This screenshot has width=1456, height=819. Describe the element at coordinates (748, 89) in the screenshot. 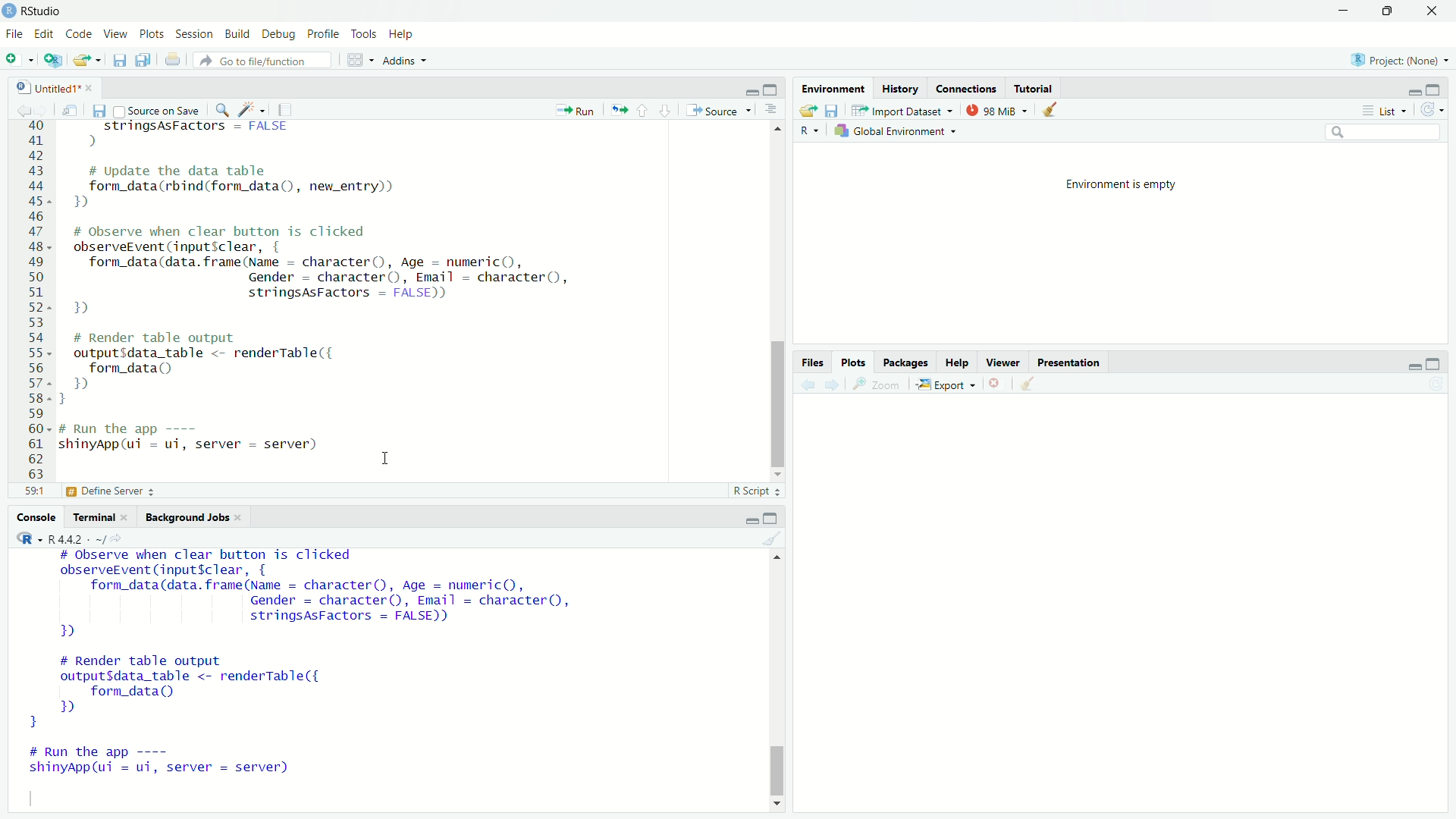

I see `minimize` at that location.